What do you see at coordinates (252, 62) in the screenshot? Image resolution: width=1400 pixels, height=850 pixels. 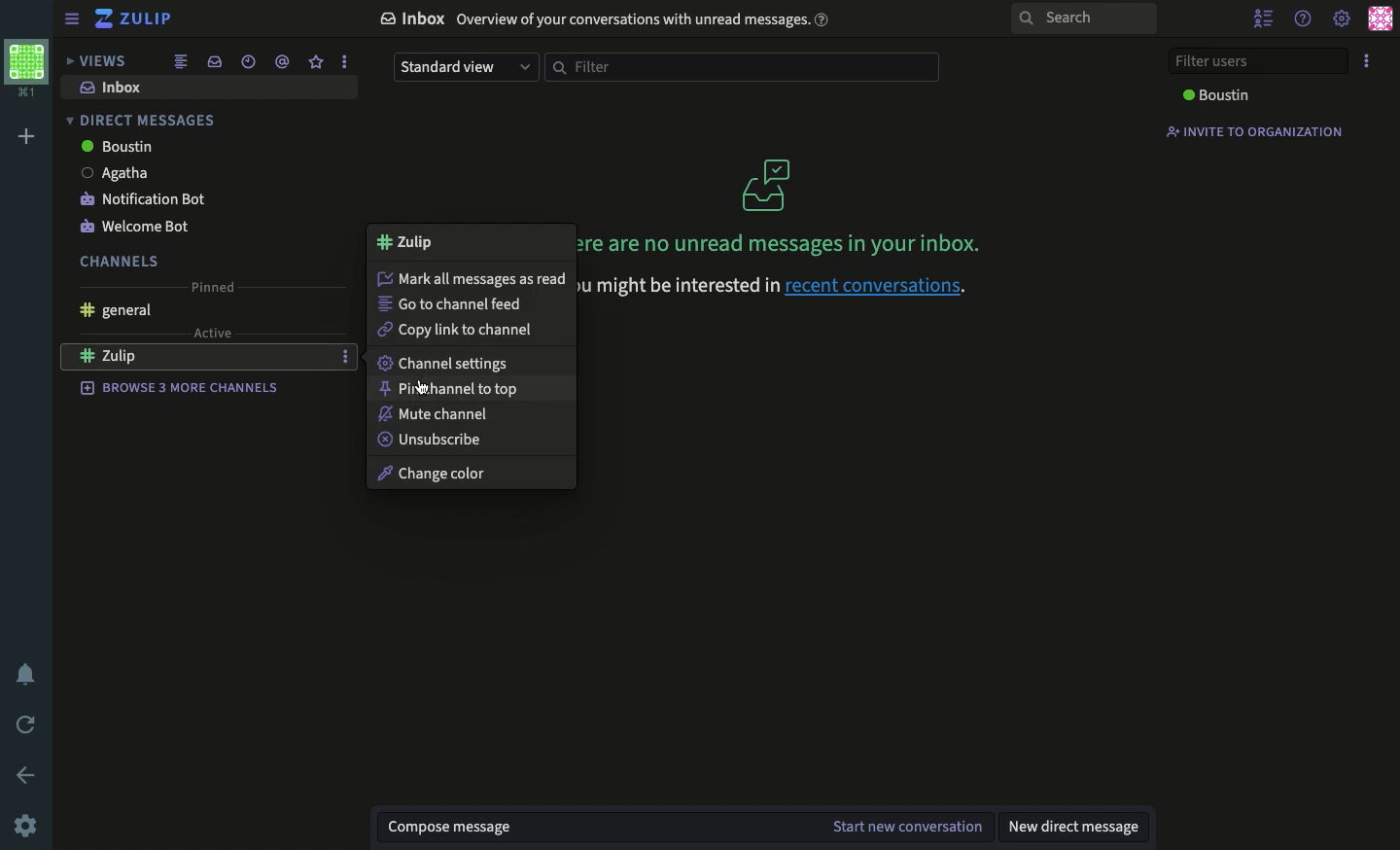 I see `recent conversation` at bounding box center [252, 62].